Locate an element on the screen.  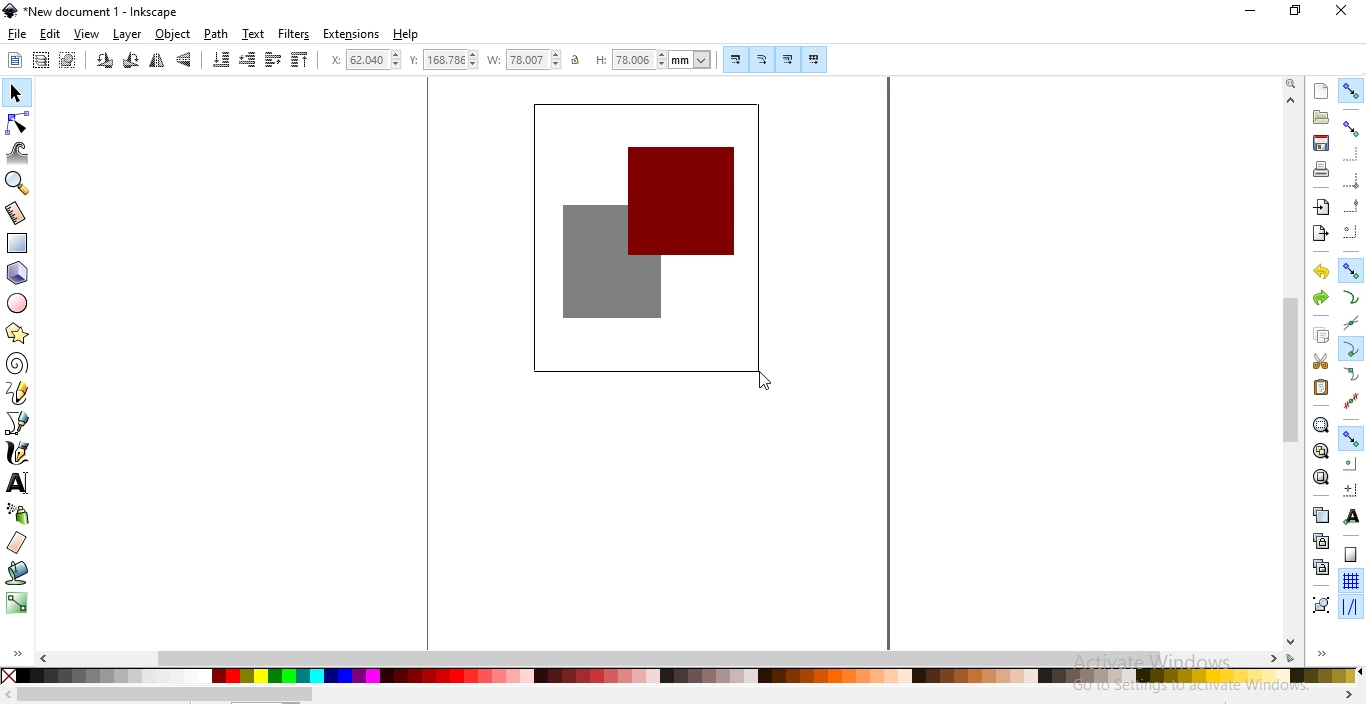
extensions is located at coordinates (353, 34).